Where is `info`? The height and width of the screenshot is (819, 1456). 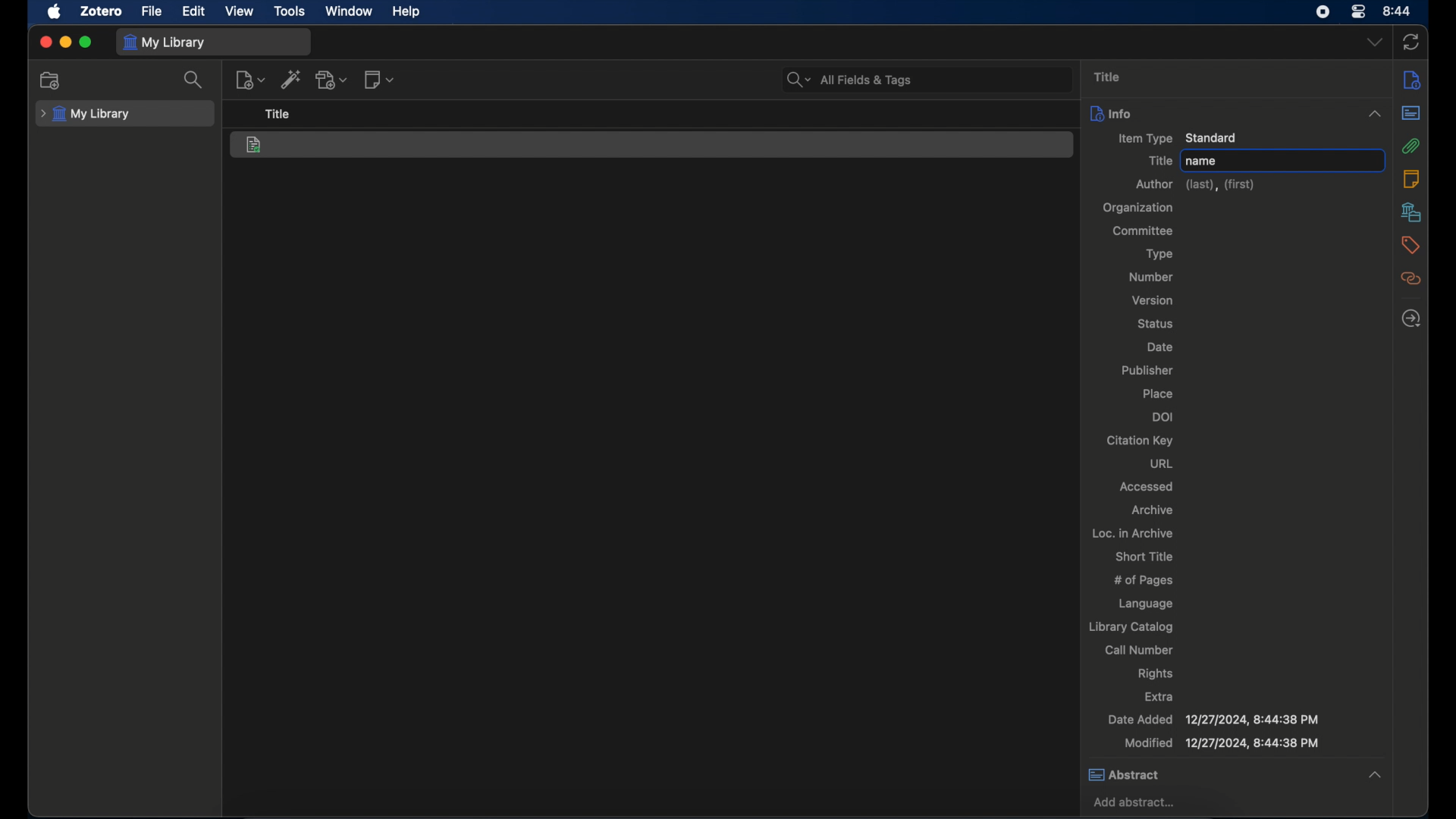 info is located at coordinates (1202, 114).